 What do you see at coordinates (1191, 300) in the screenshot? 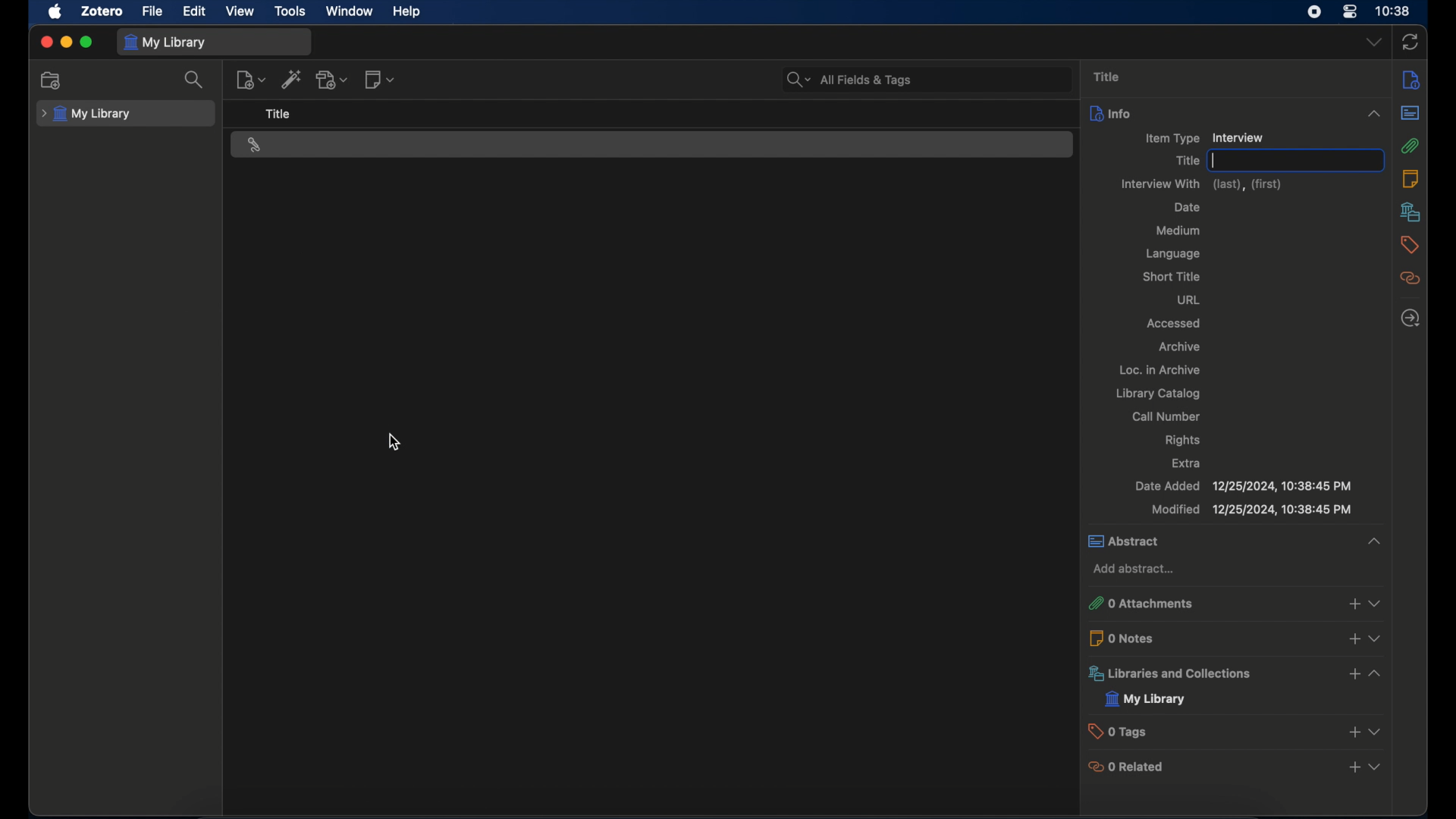
I see `url` at bounding box center [1191, 300].